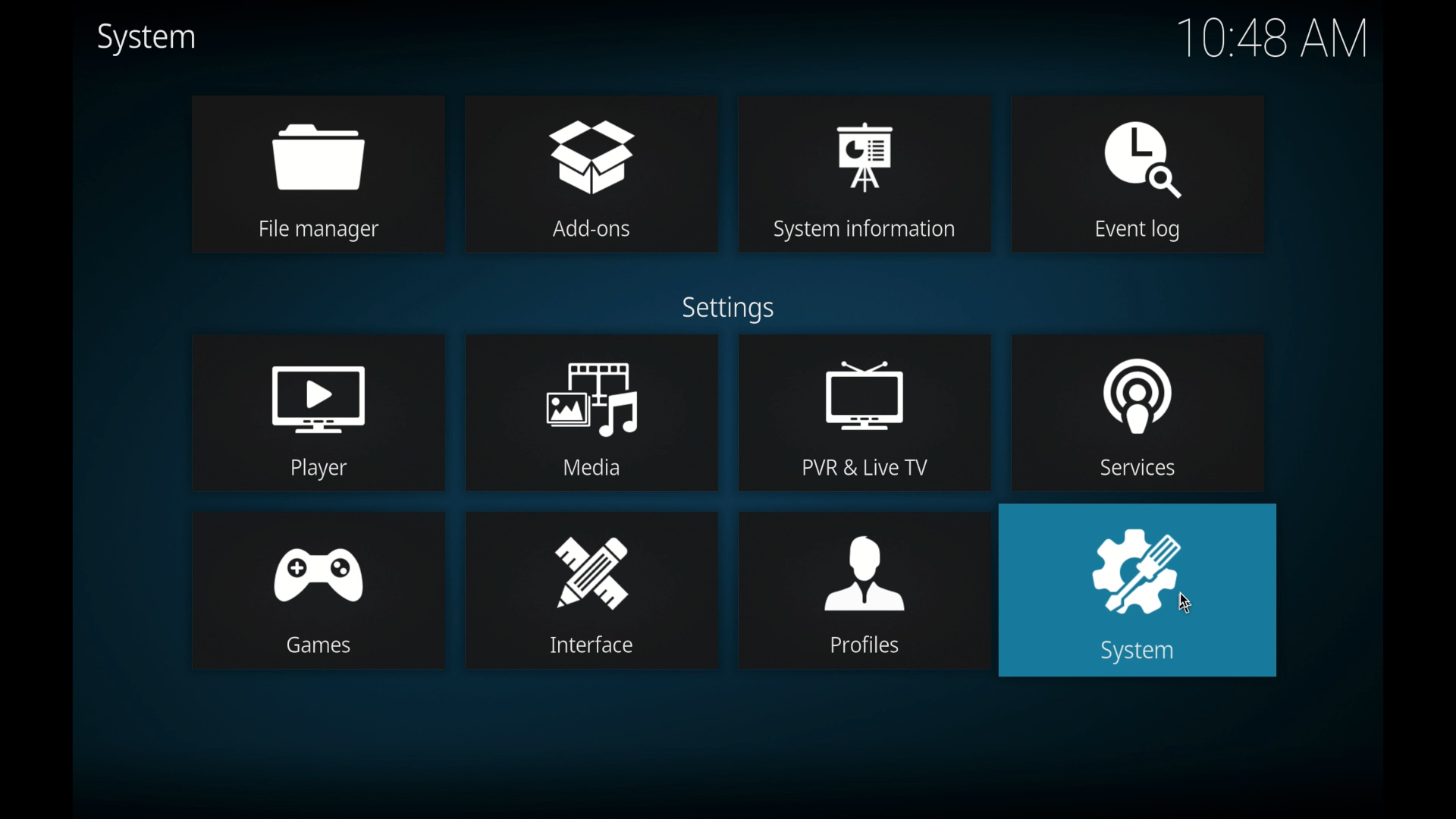 The width and height of the screenshot is (1456, 819). Describe the element at coordinates (864, 413) in the screenshot. I see `pvr &  live tv` at that location.